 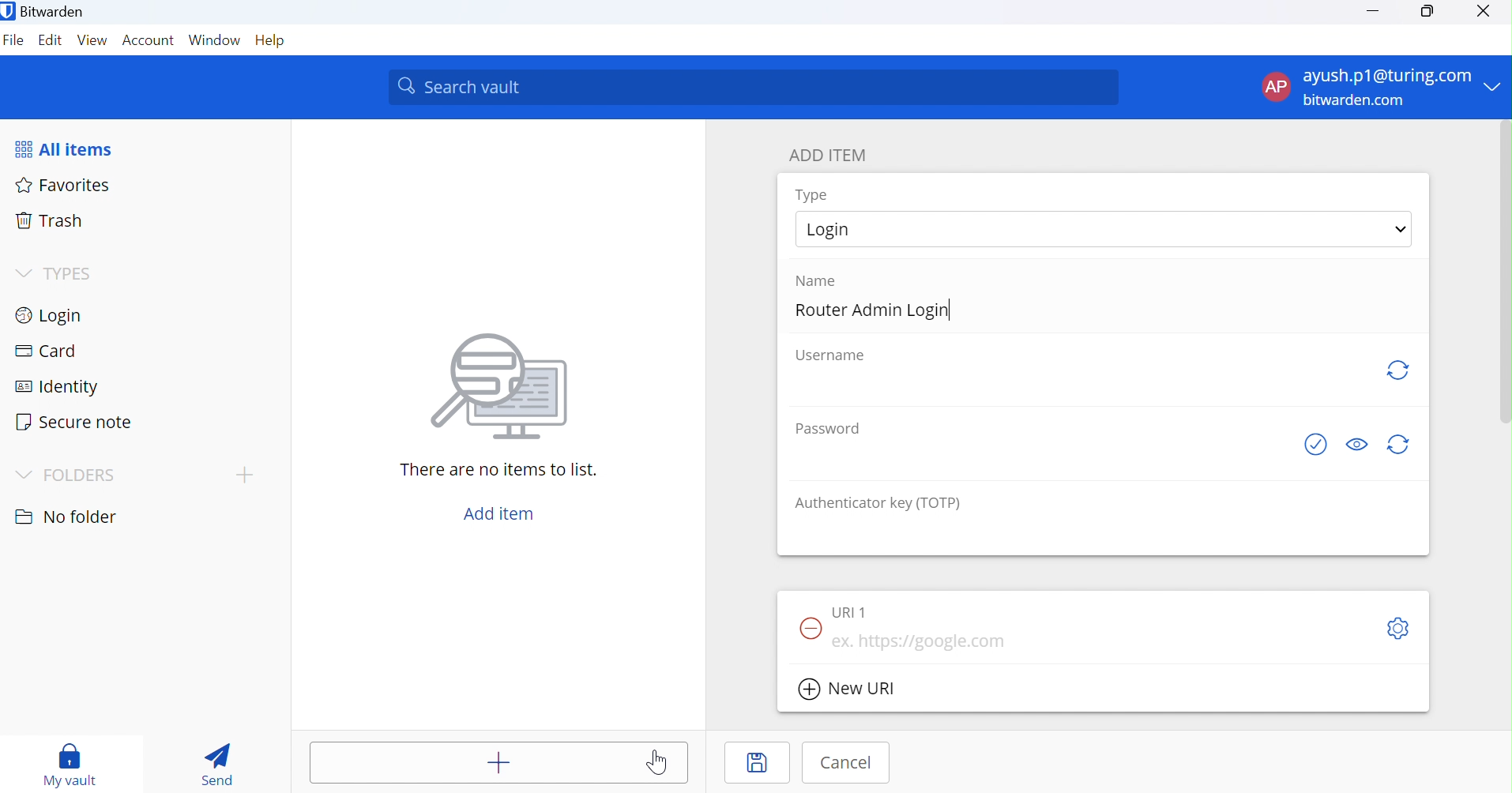 What do you see at coordinates (878, 502) in the screenshot?
I see `Authenticator key (TOTP)` at bounding box center [878, 502].